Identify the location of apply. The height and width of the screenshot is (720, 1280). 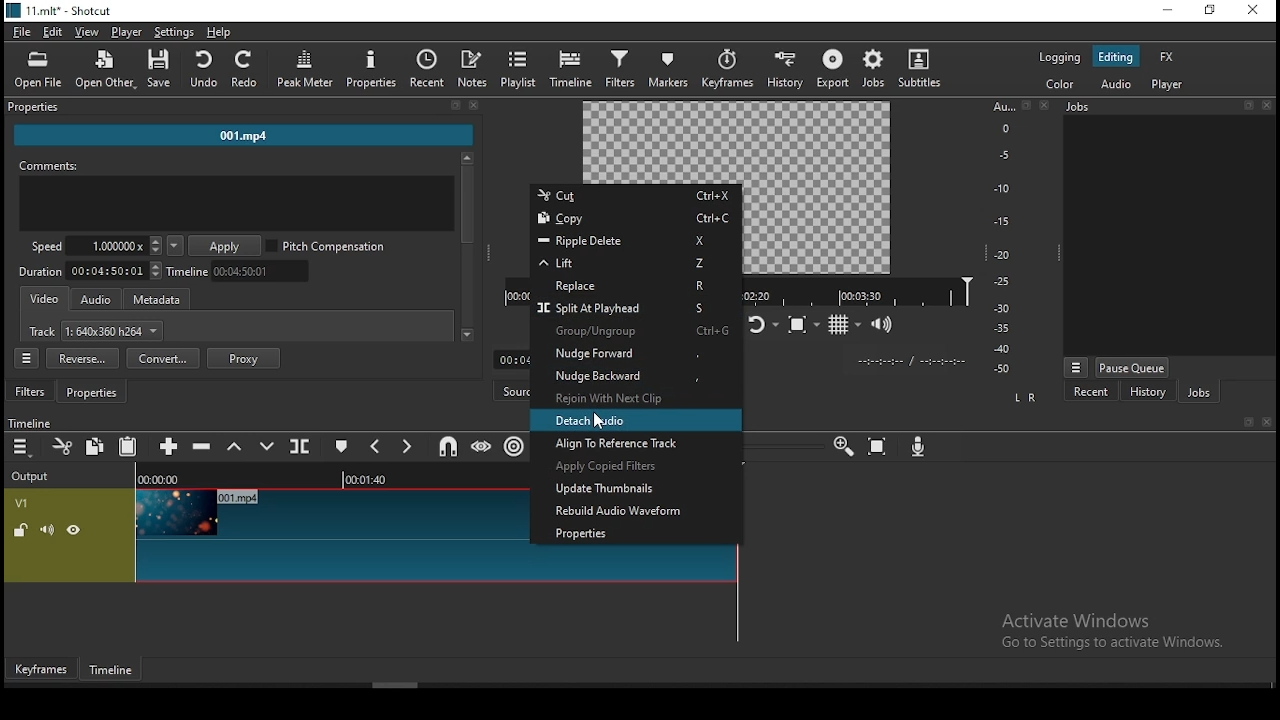
(225, 246).